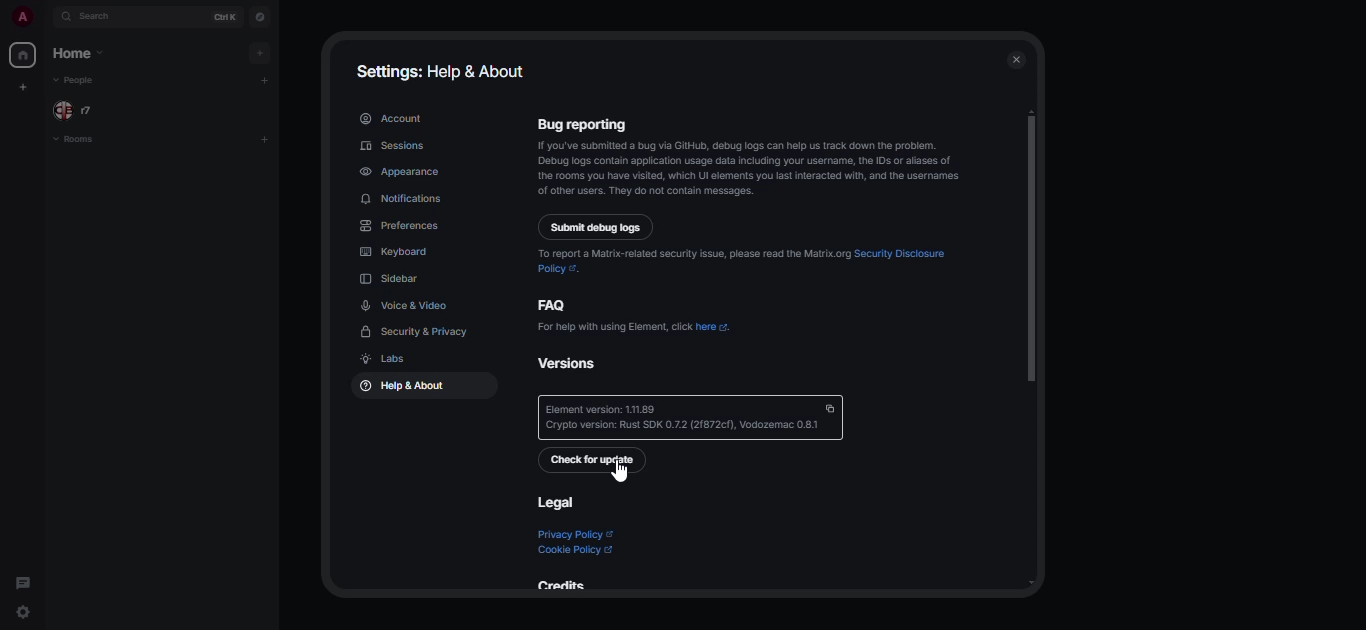 The image size is (1366, 630). Describe the element at coordinates (577, 535) in the screenshot. I see `privacy policy` at that location.